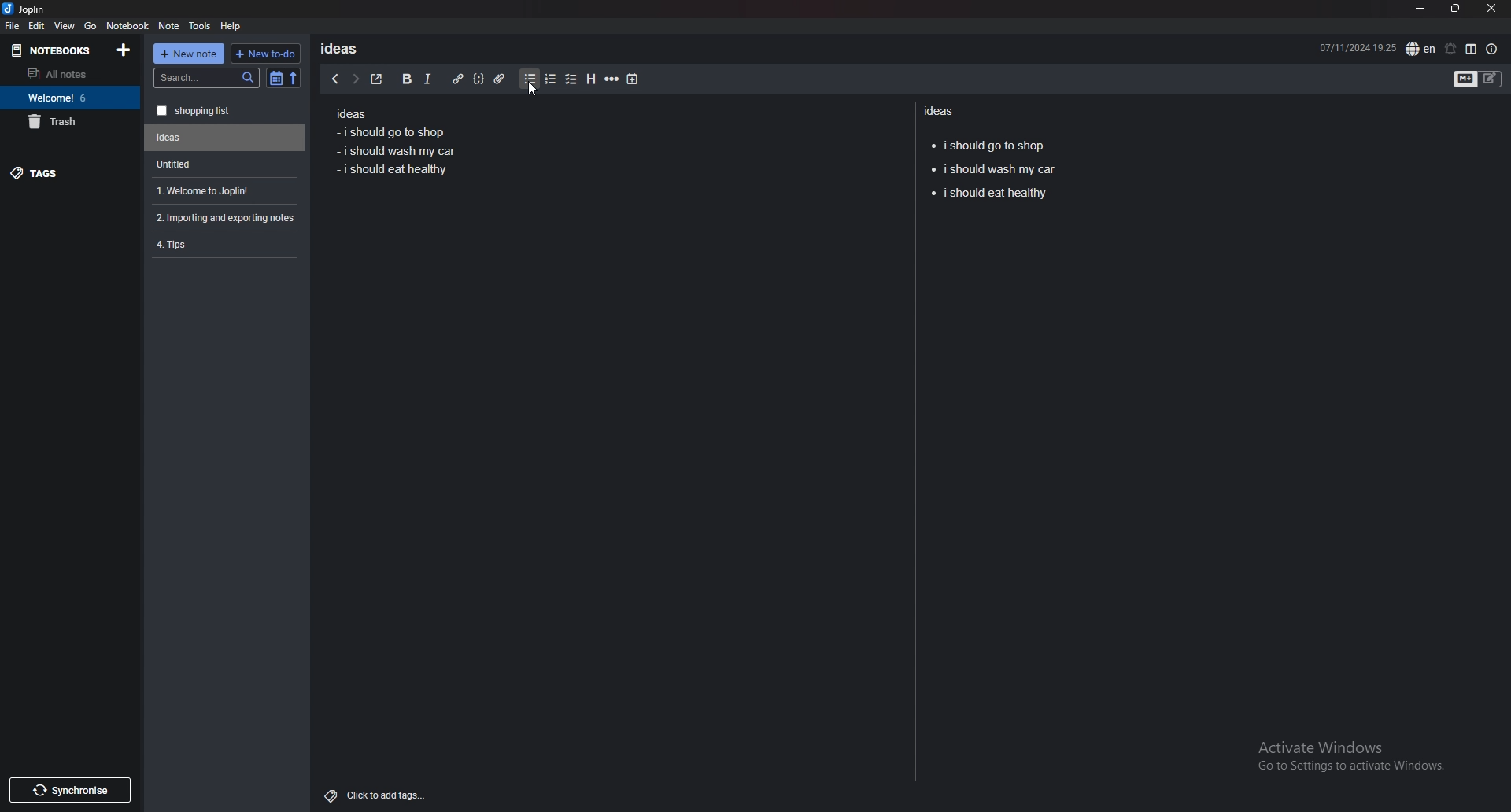 This screenshot has width=1511, height=812. Describe the element at coordinates (345, 48) in the screenshot. I see `ideas` at that location.